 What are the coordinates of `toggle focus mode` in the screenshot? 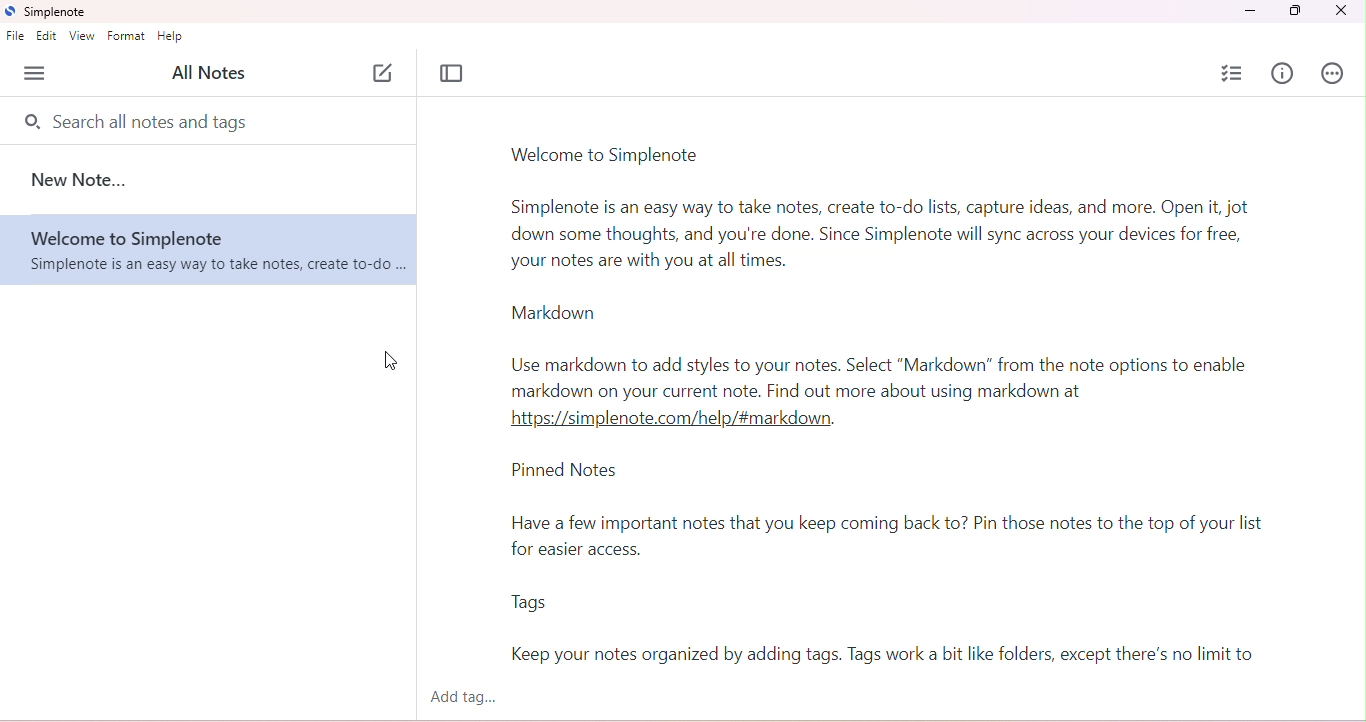 It's located at (452, 73).